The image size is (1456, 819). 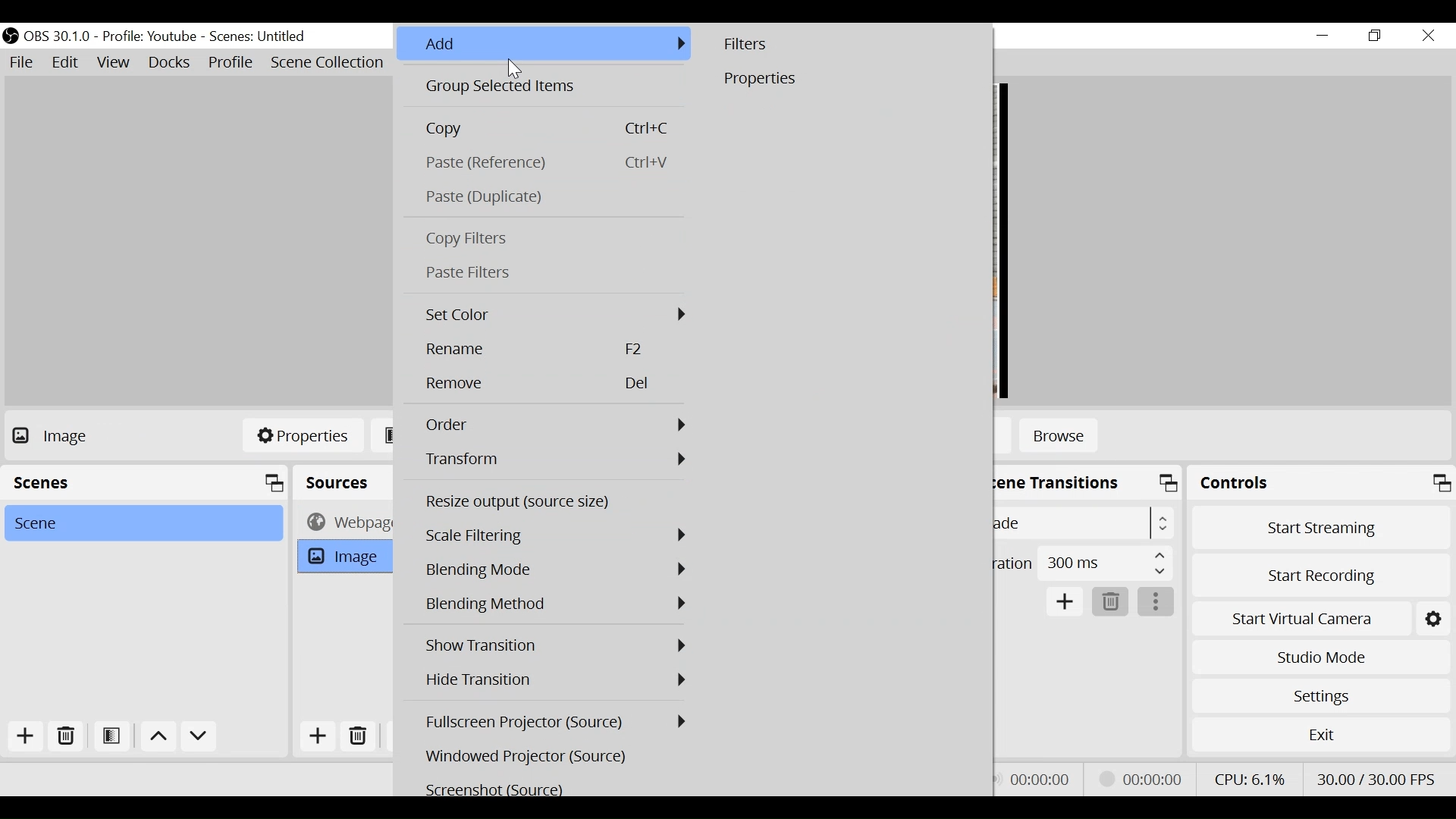 I want to click on No source selected, so click(x=79, y=435).